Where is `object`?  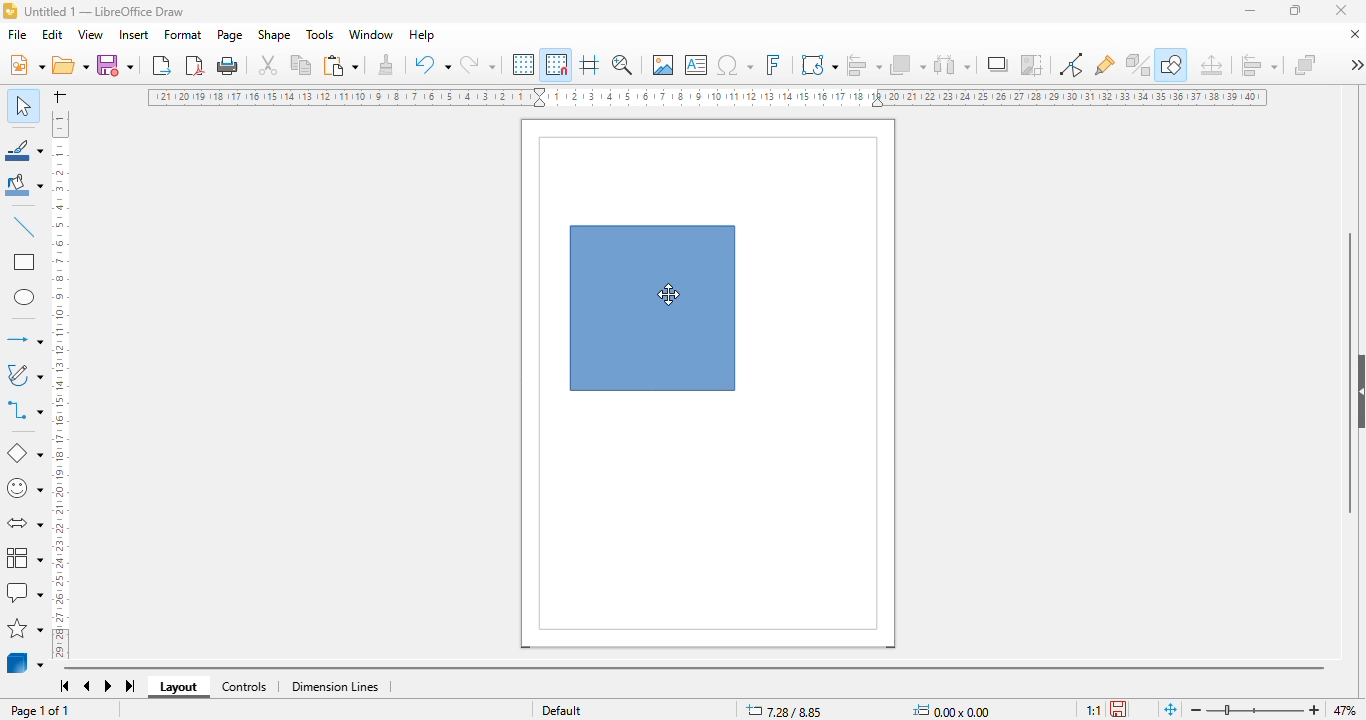
object is located at coordinates (652, 308).